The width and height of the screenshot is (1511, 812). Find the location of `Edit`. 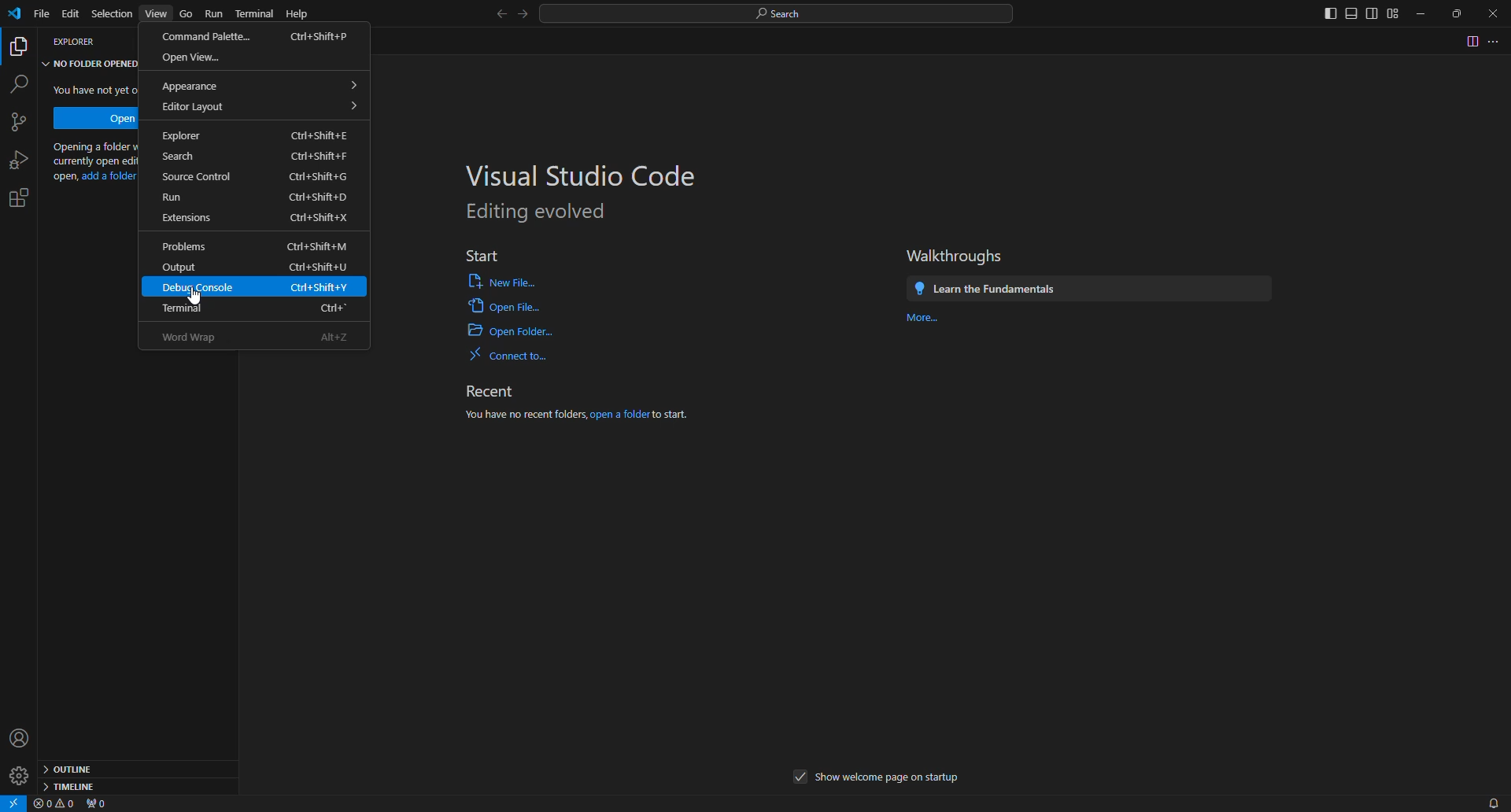

Edit is located at coordinates (72, 14).